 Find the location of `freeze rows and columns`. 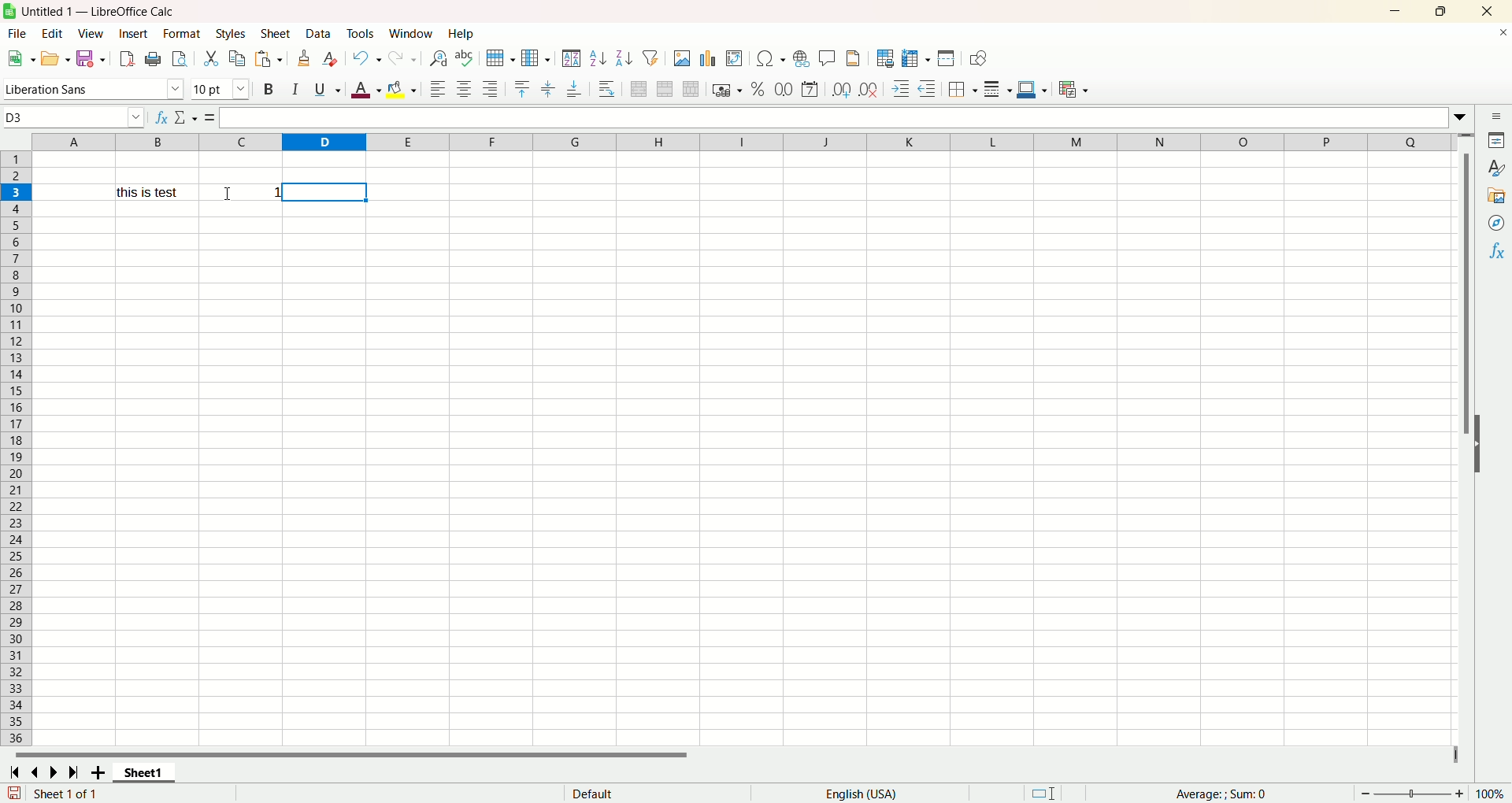

freeze rows and columns is located at coordinates (914, 57).